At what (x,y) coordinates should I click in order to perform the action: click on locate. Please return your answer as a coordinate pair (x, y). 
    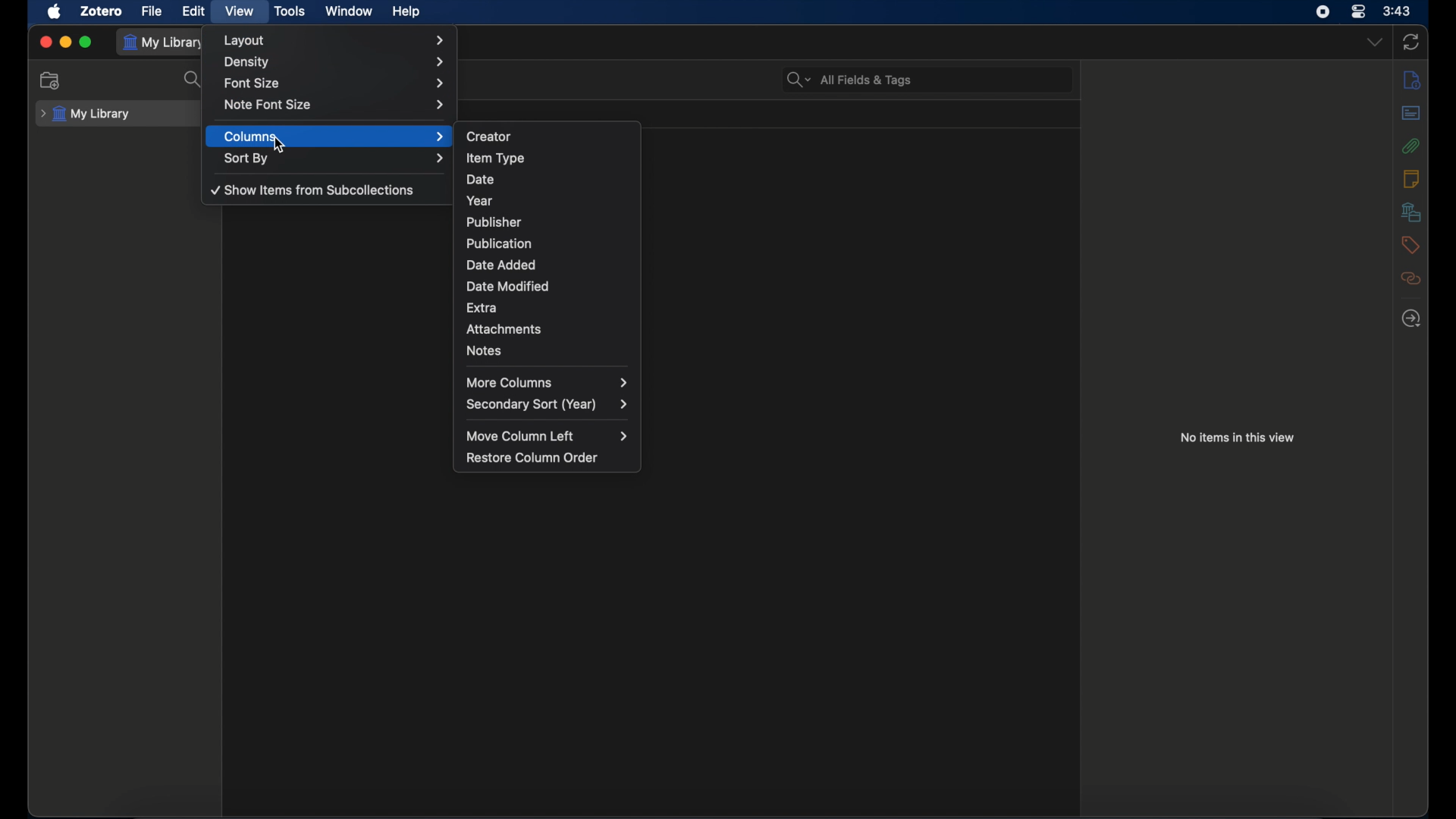
    Looking at the image, I should click on (1410, 318).